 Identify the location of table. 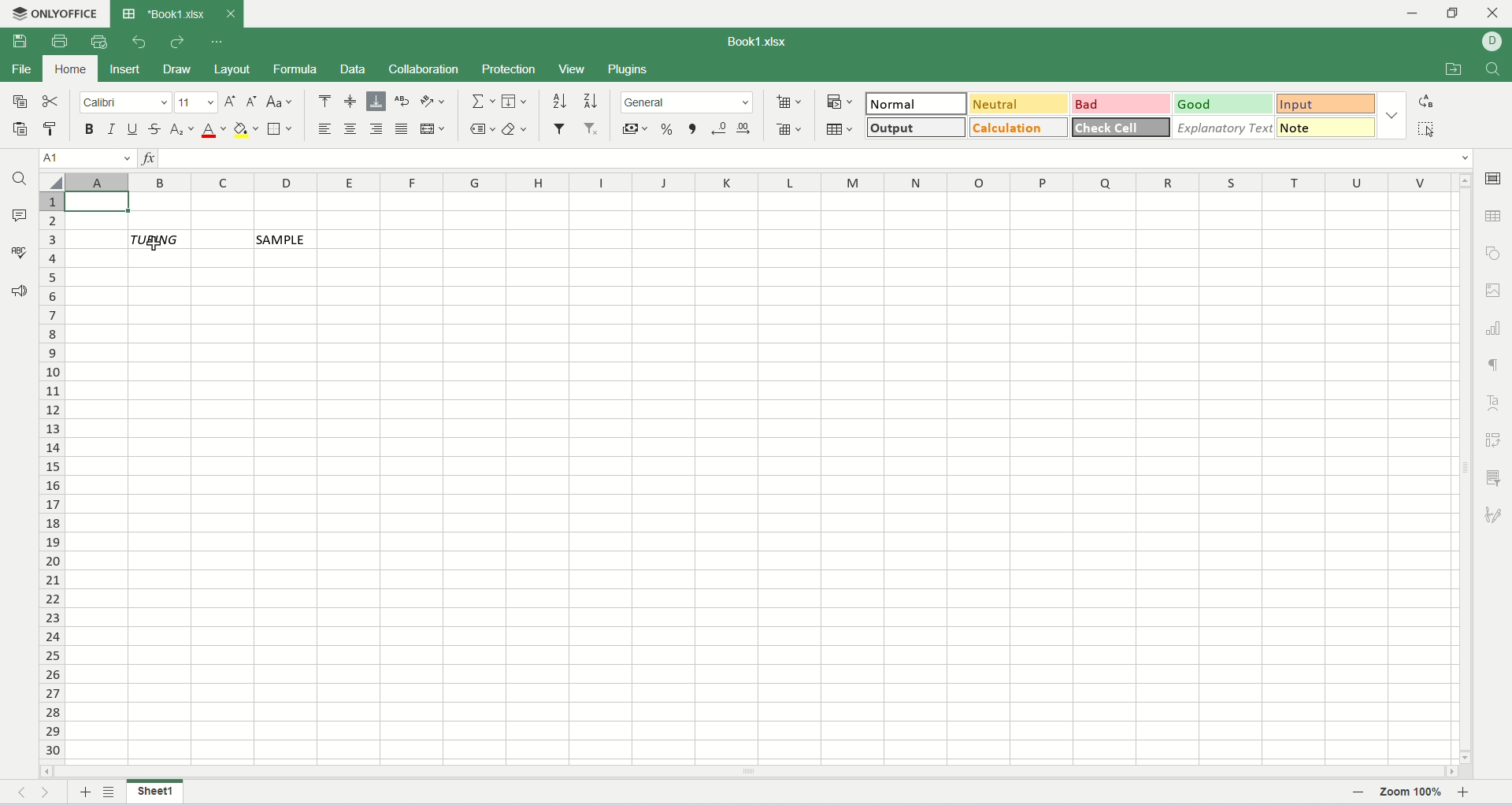
(841, 128).